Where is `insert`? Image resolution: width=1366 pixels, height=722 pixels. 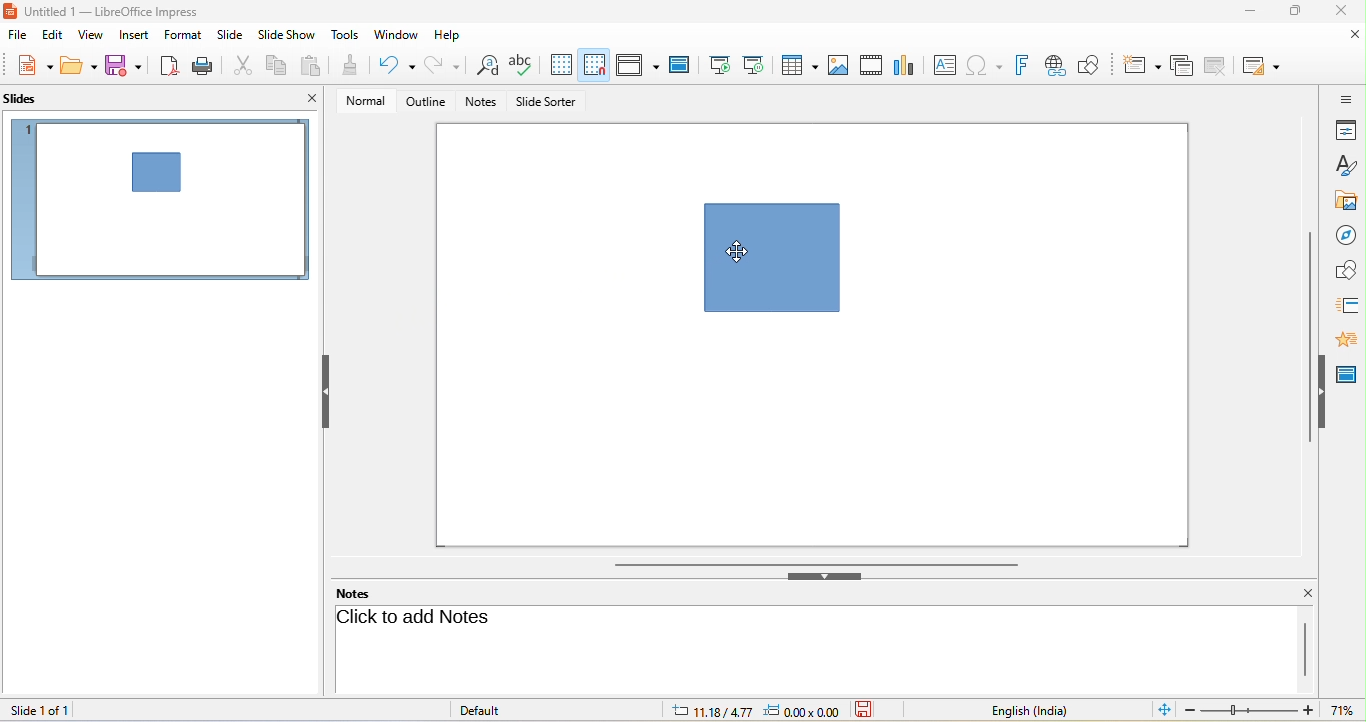 insert is located at coordinates (139, 36).